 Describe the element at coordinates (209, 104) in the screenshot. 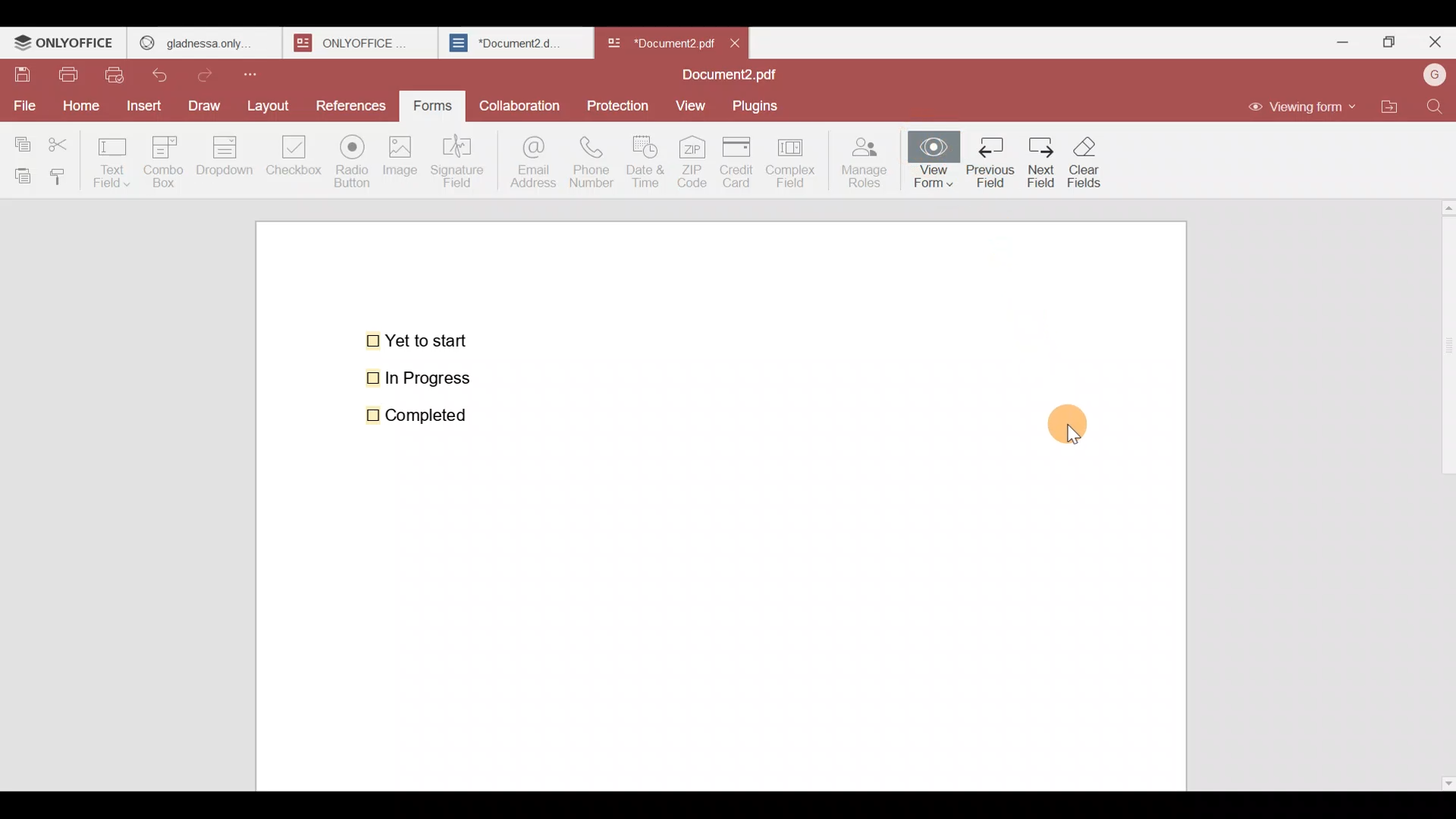

I see `Draw` at that location.